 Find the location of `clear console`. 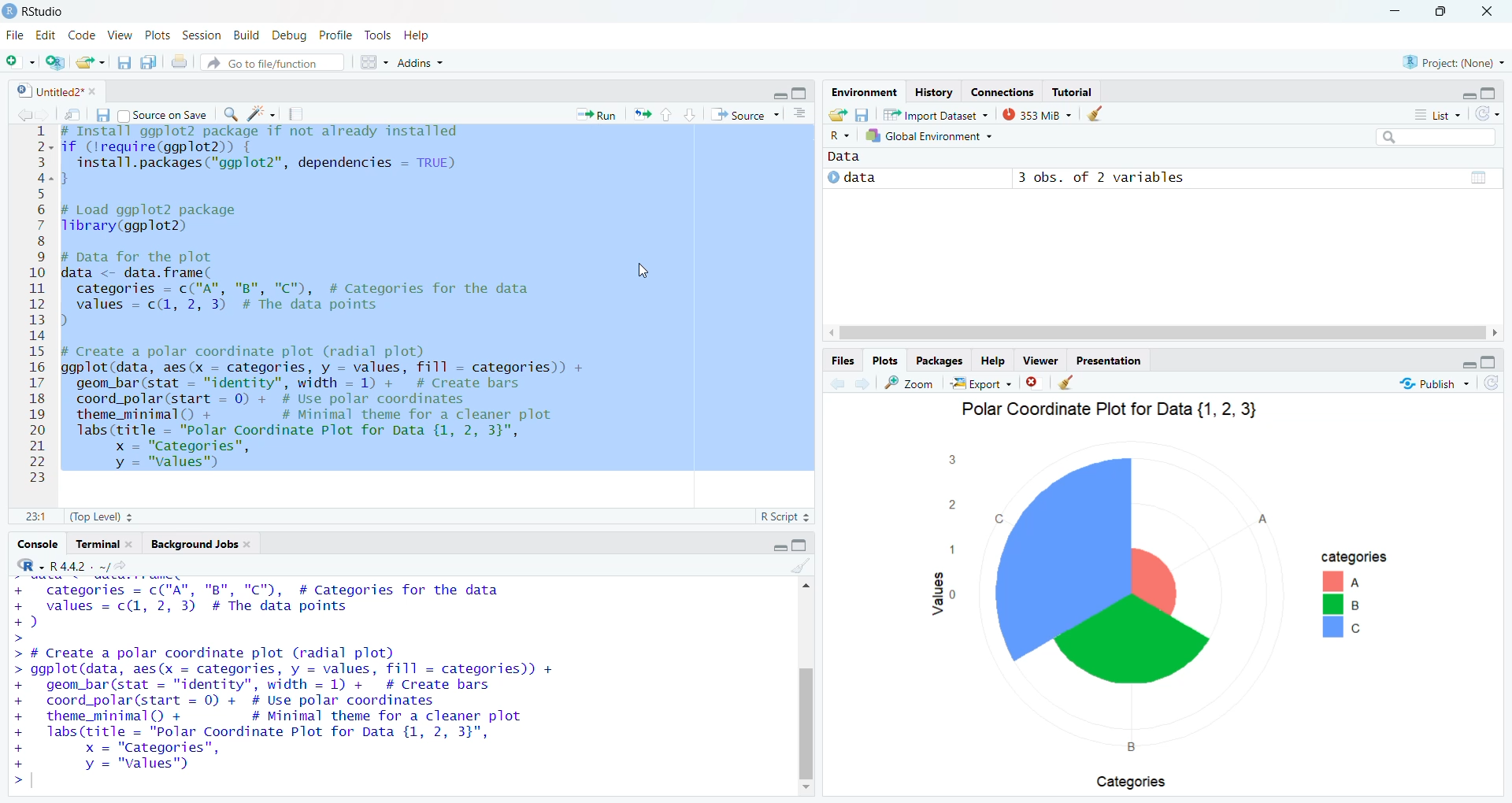

clear console is located at coordinates (802, 569).